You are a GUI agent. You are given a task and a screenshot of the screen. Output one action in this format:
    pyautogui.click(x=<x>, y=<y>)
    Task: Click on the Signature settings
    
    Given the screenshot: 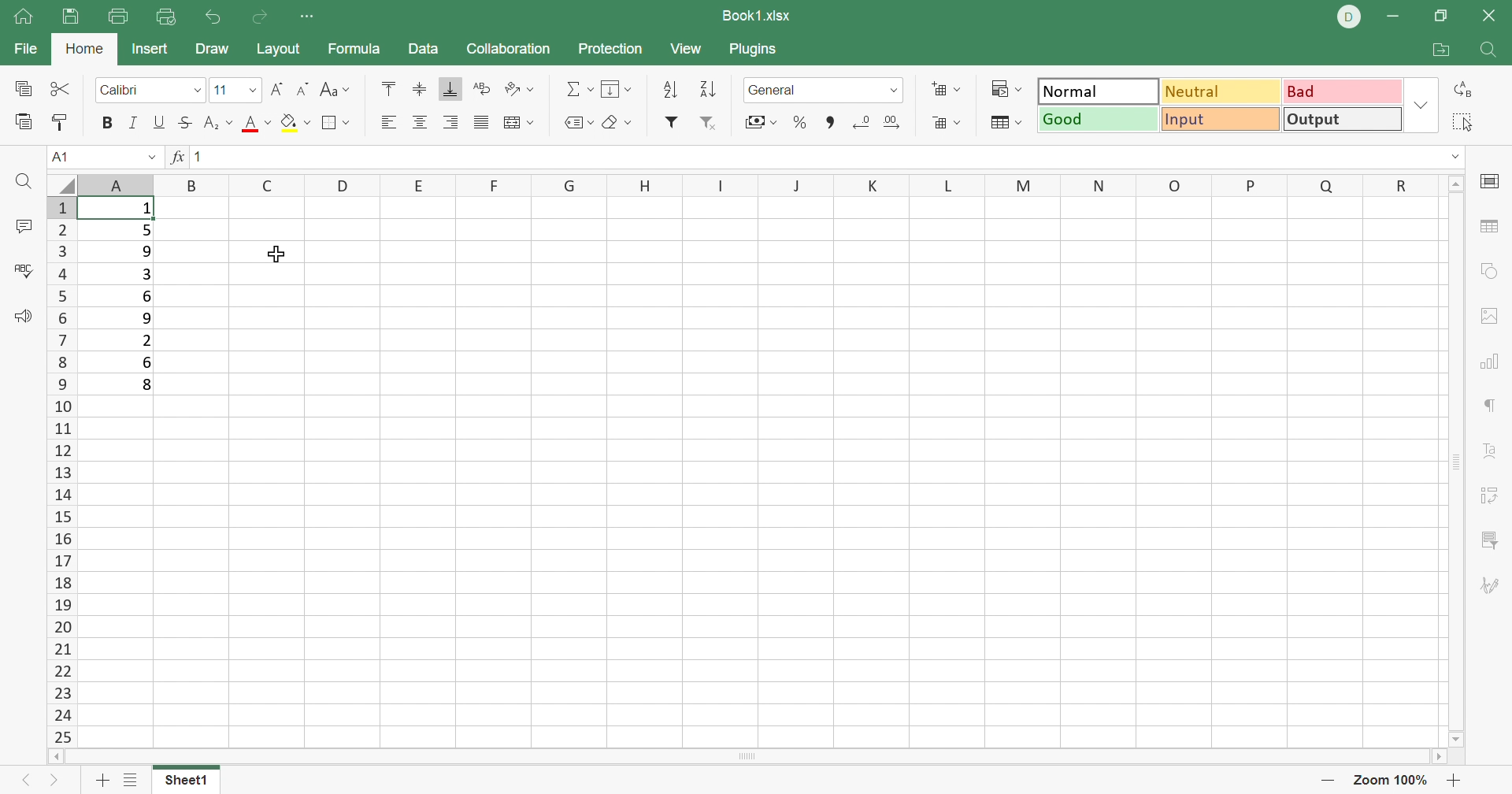 What is the action you would take?
    pyautogui.click(x=1491, y=584)
    